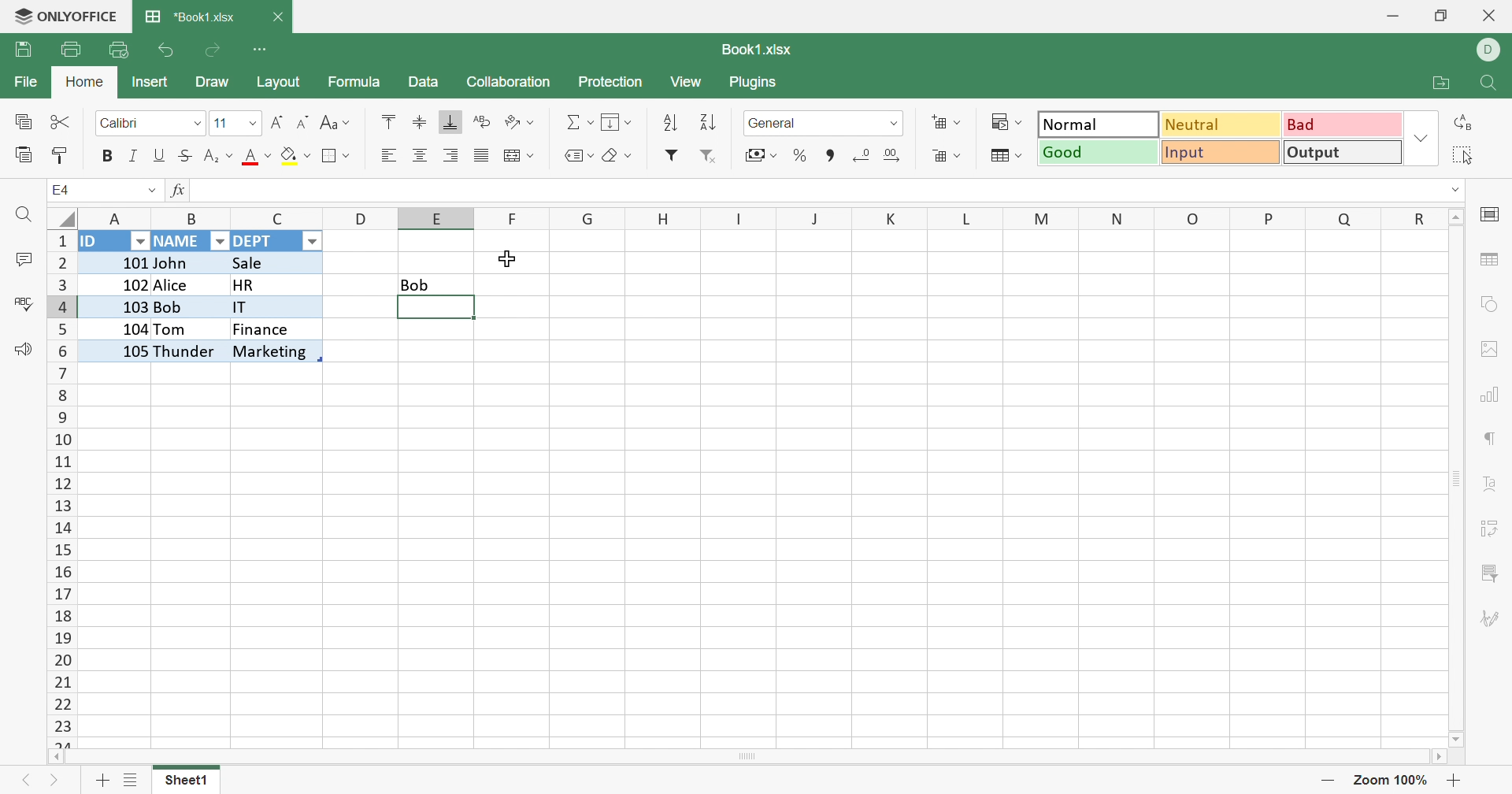 Image resolution: width=1512 pixels, height=794 pixels. What do you see at coordinates (356, 82) in the screenshot?
I see `Formula` at bounding box center [356, 82].